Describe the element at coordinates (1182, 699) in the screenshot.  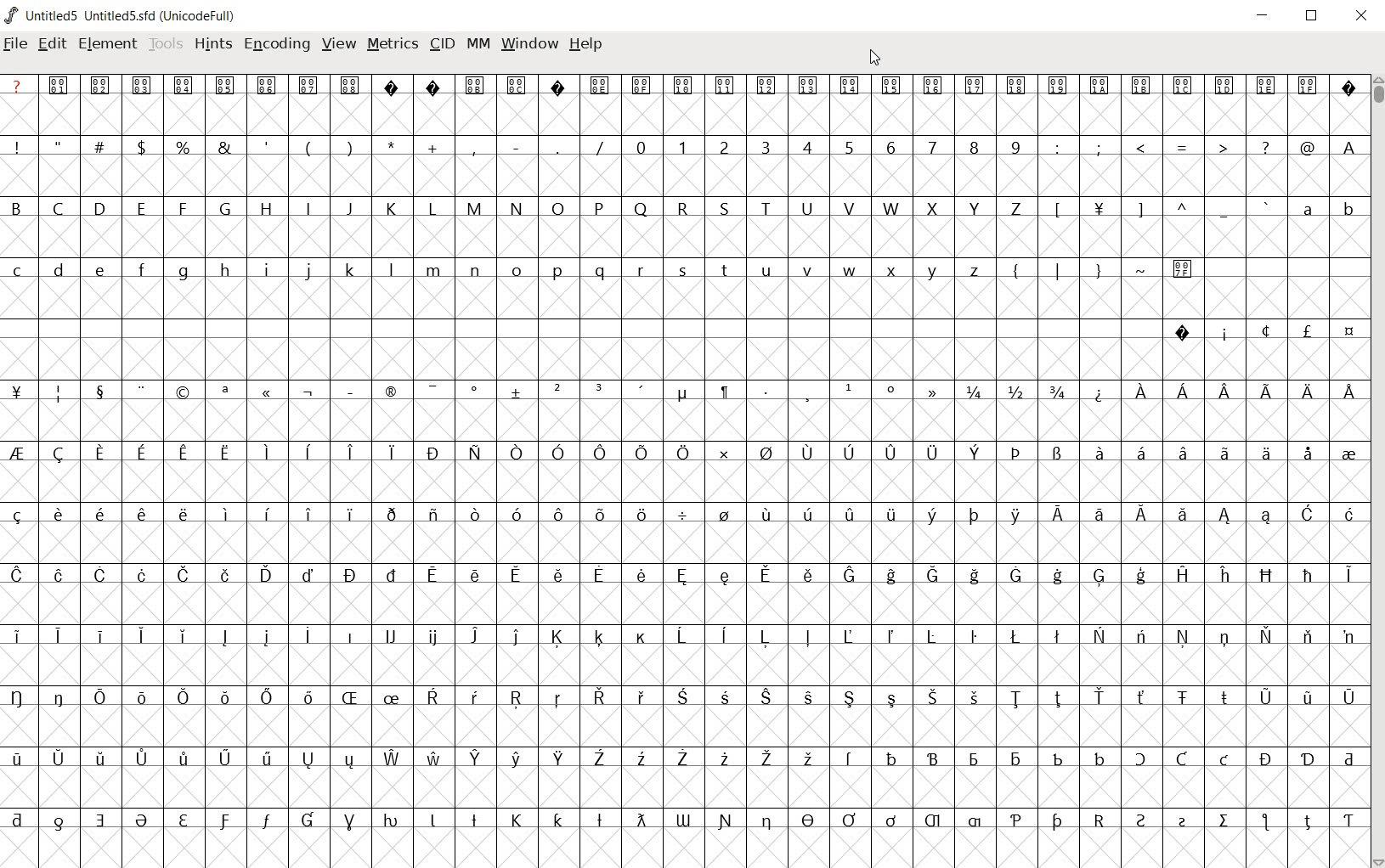
I see `Symbol` at that location.